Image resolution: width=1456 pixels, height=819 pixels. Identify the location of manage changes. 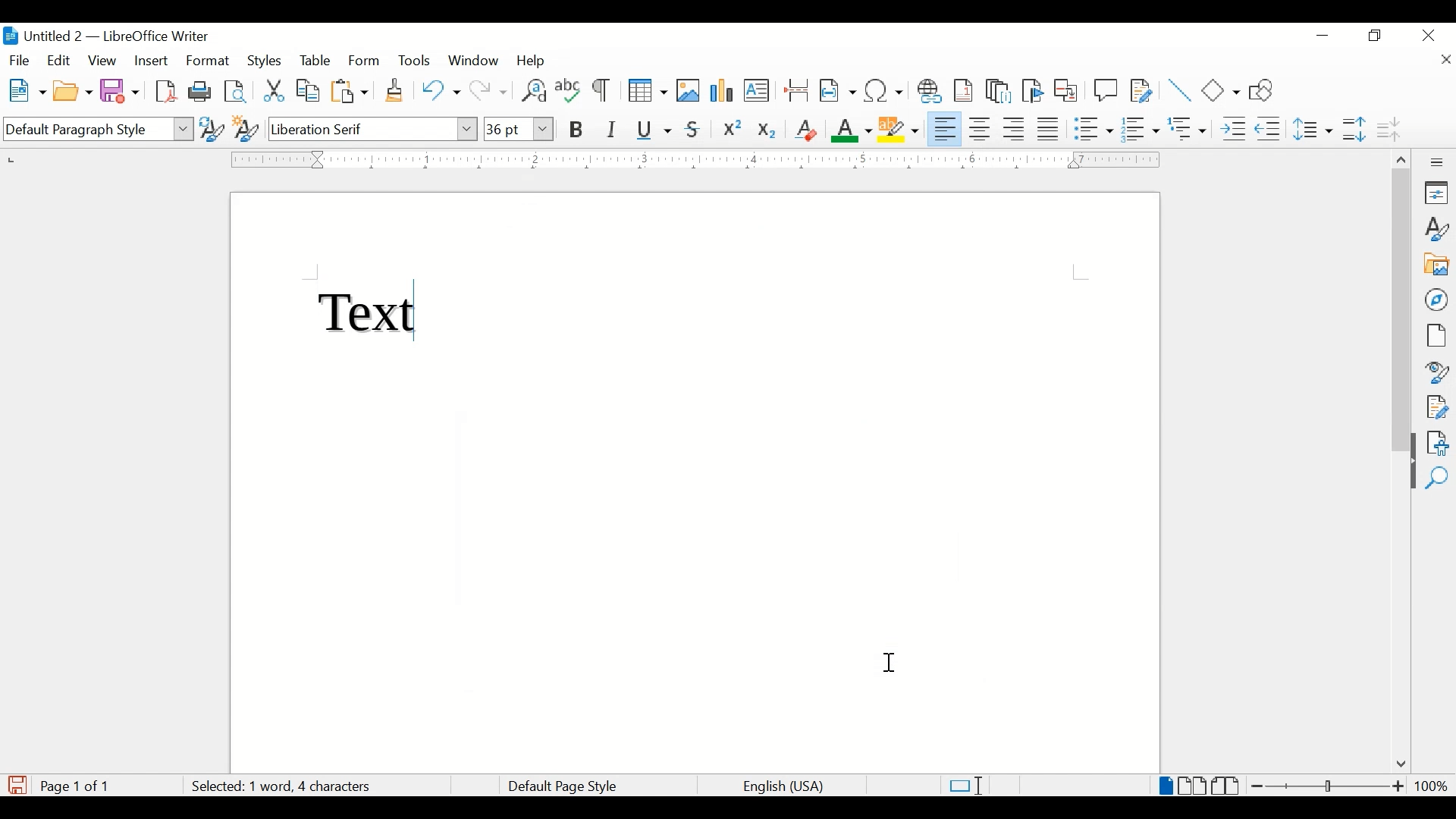
(1437, 407).